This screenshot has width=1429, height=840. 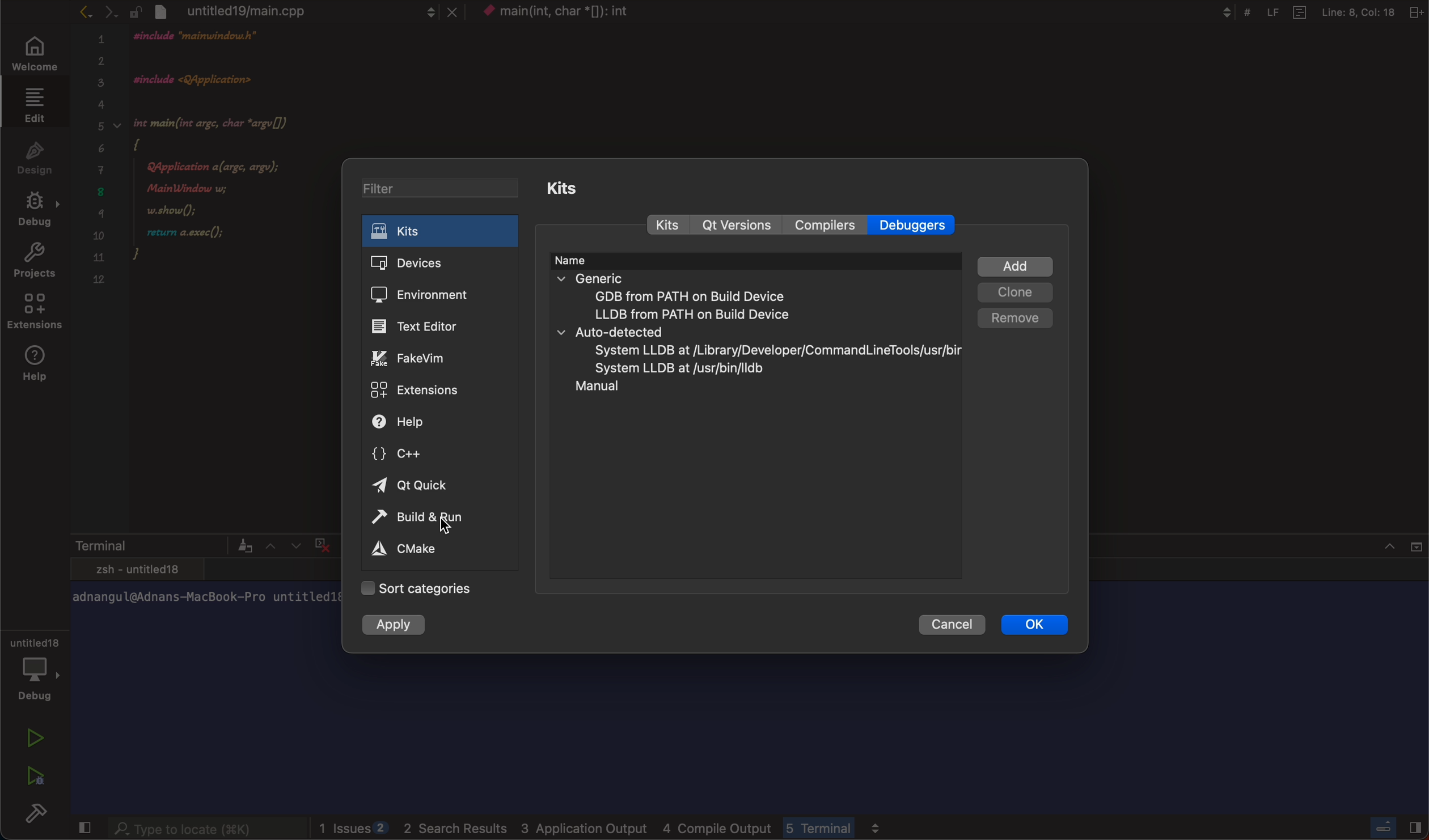 What do you see at coordinates (32, 258) in the screenshot?
I see `projects` at bounding box center [32, 258].